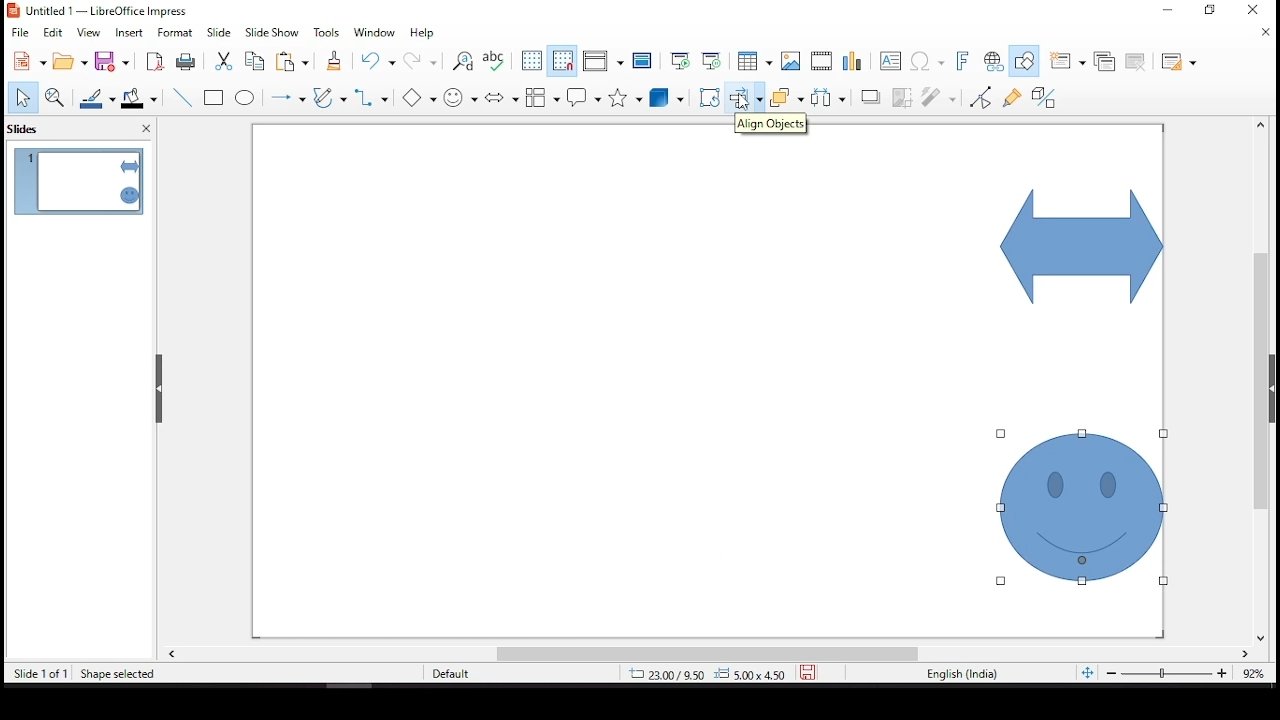 The image size is (1280, 720). I want to click on show draw functions, so click(1025, 59).